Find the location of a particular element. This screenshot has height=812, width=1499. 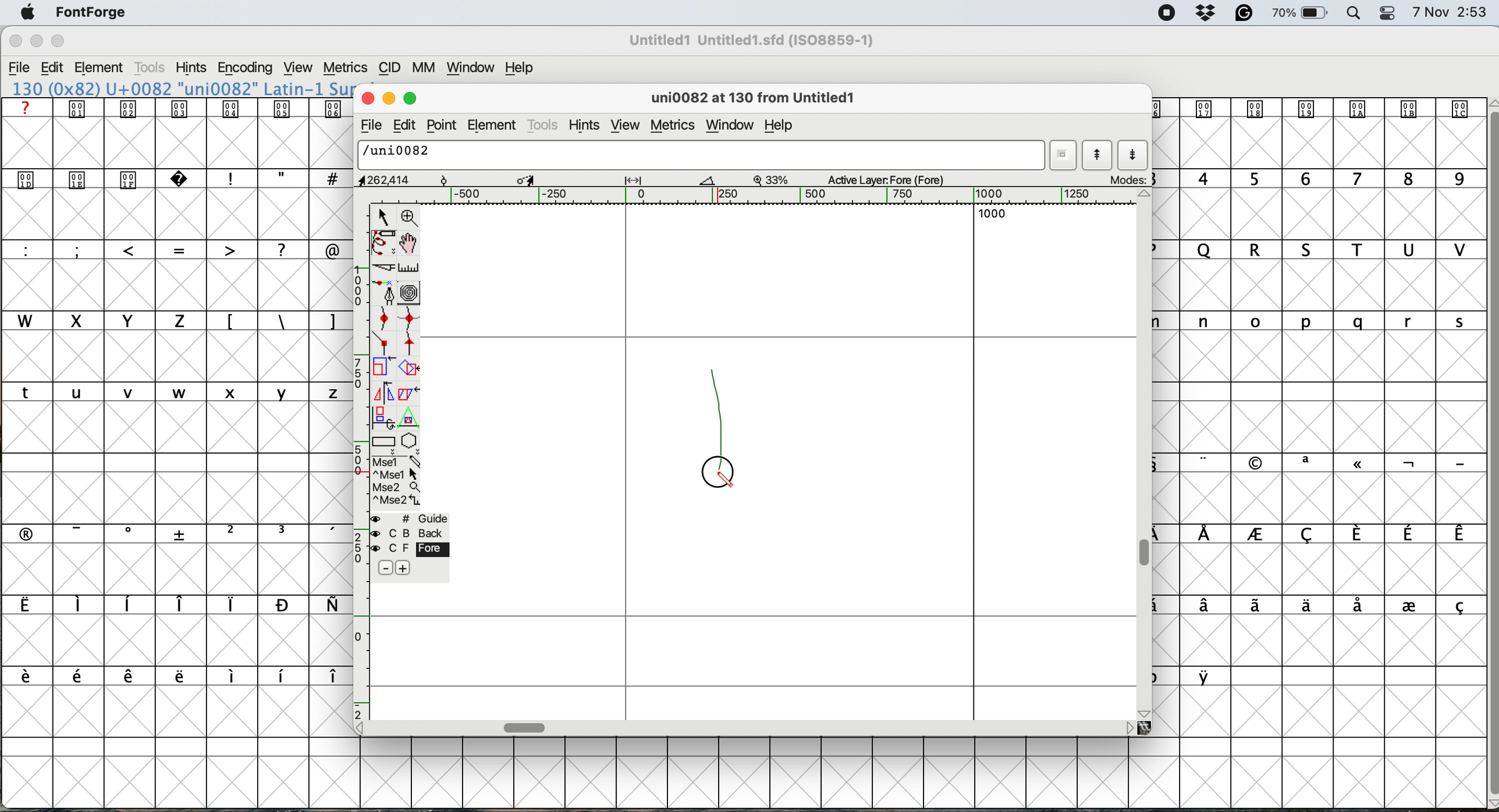

close is located at coordinates (15, 42).